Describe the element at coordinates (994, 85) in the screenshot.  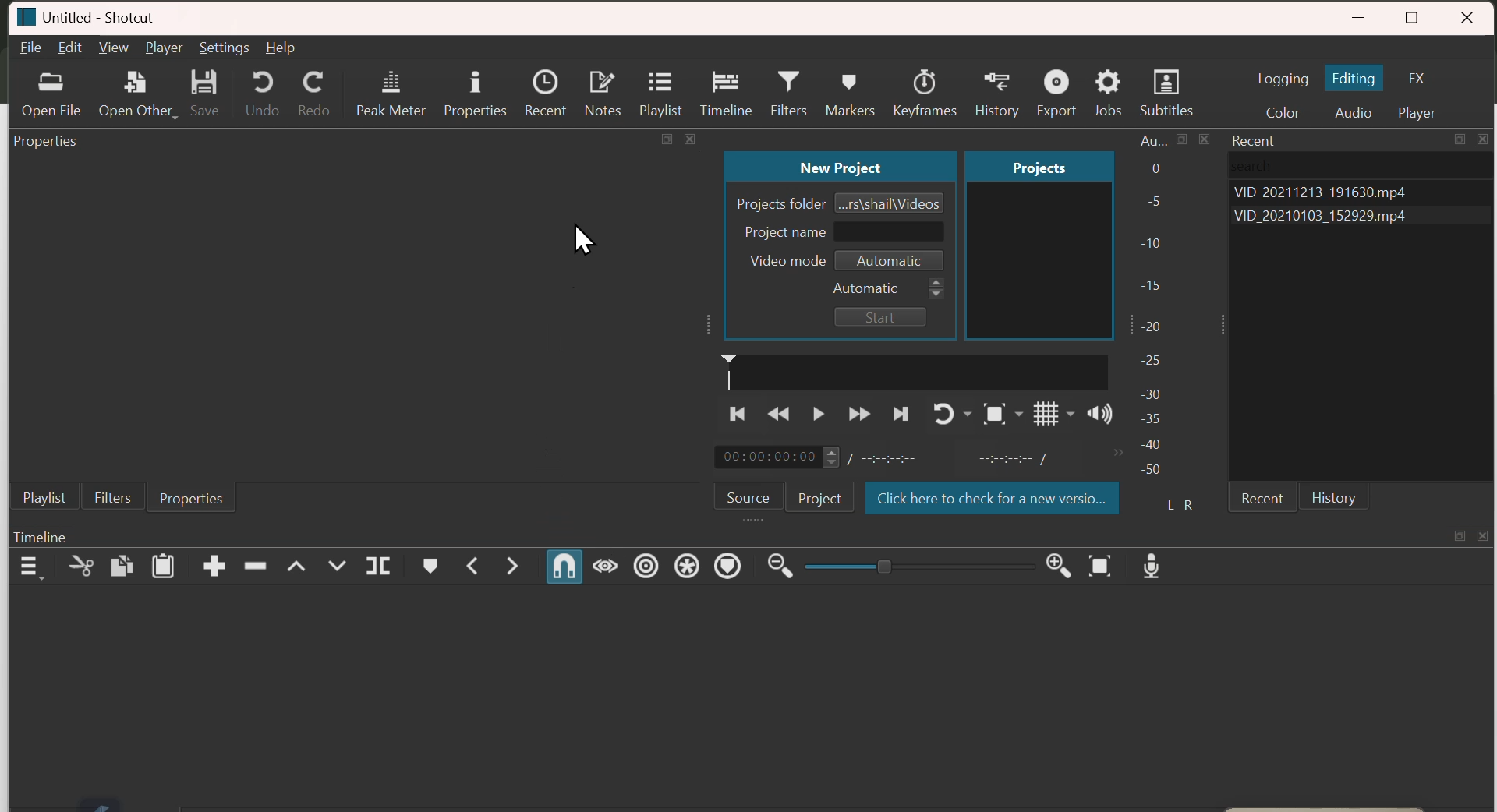
I see `History` at that location.